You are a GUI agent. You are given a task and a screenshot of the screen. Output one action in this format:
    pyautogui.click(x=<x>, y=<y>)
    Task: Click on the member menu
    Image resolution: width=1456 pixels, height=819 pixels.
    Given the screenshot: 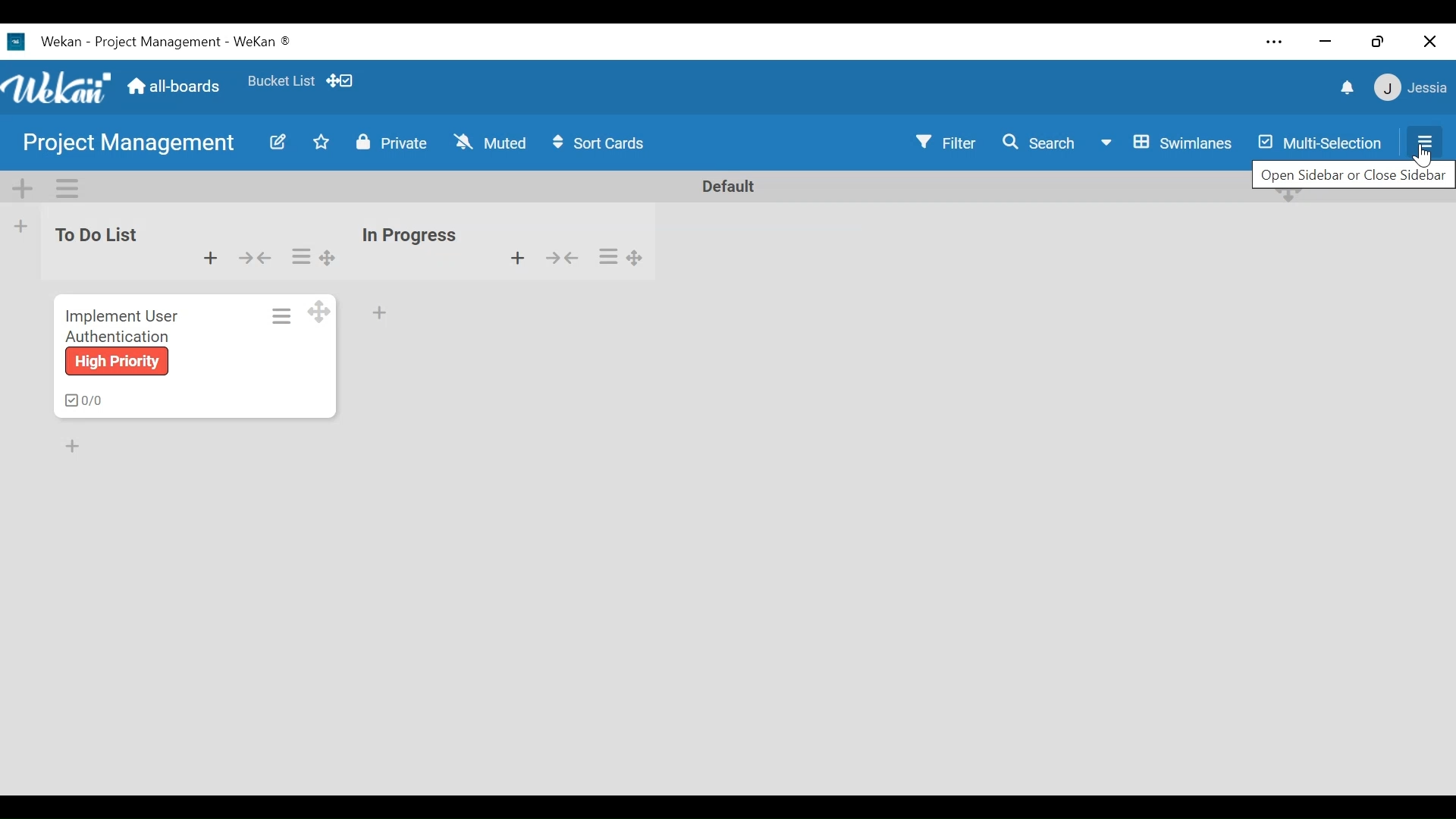 What is the action you would take?
    pyautogui.click(x=1409, y=86)
    